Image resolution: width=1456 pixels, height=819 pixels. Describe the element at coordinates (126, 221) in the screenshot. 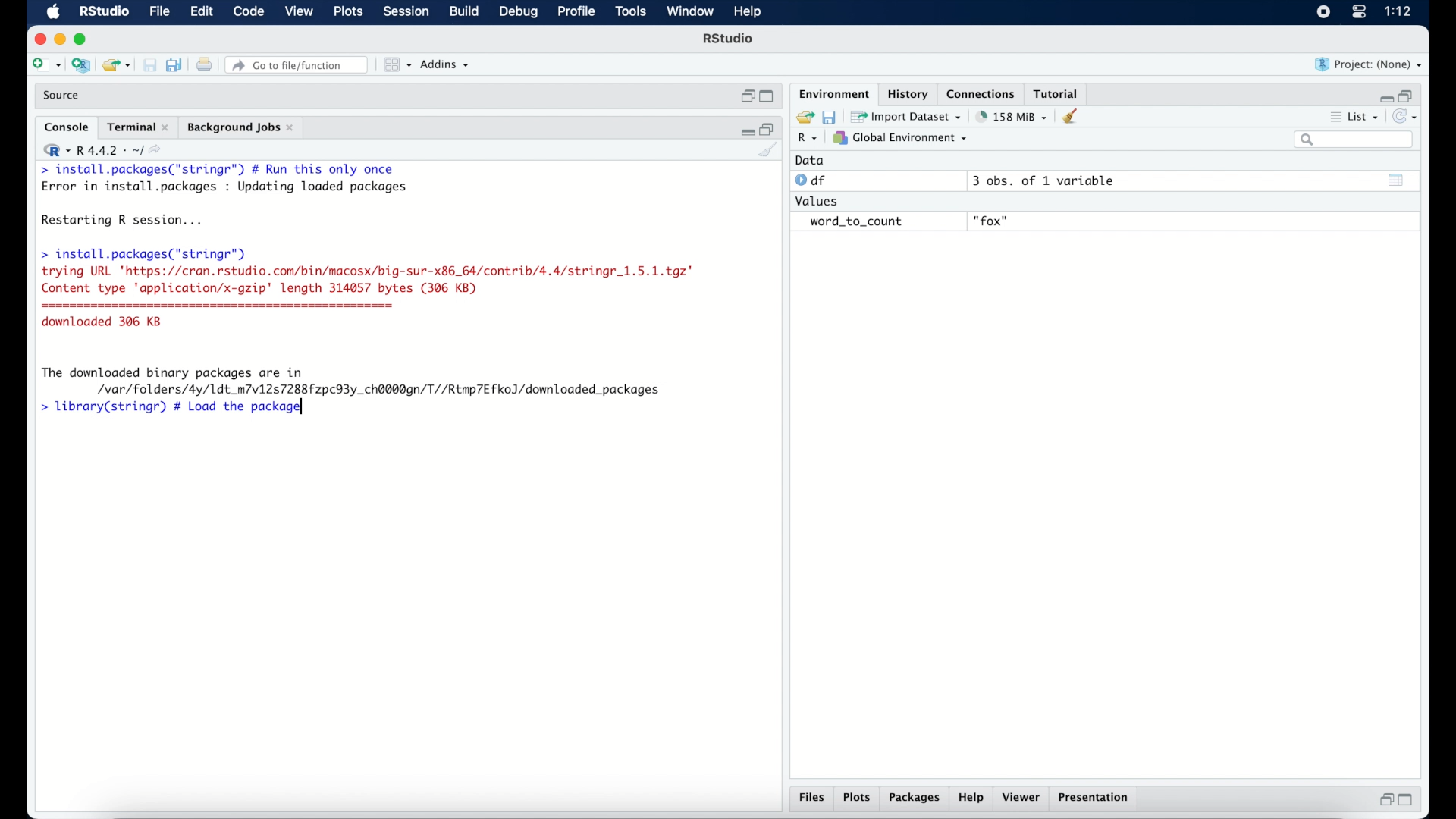

I see `Restarting R session...` at that location.